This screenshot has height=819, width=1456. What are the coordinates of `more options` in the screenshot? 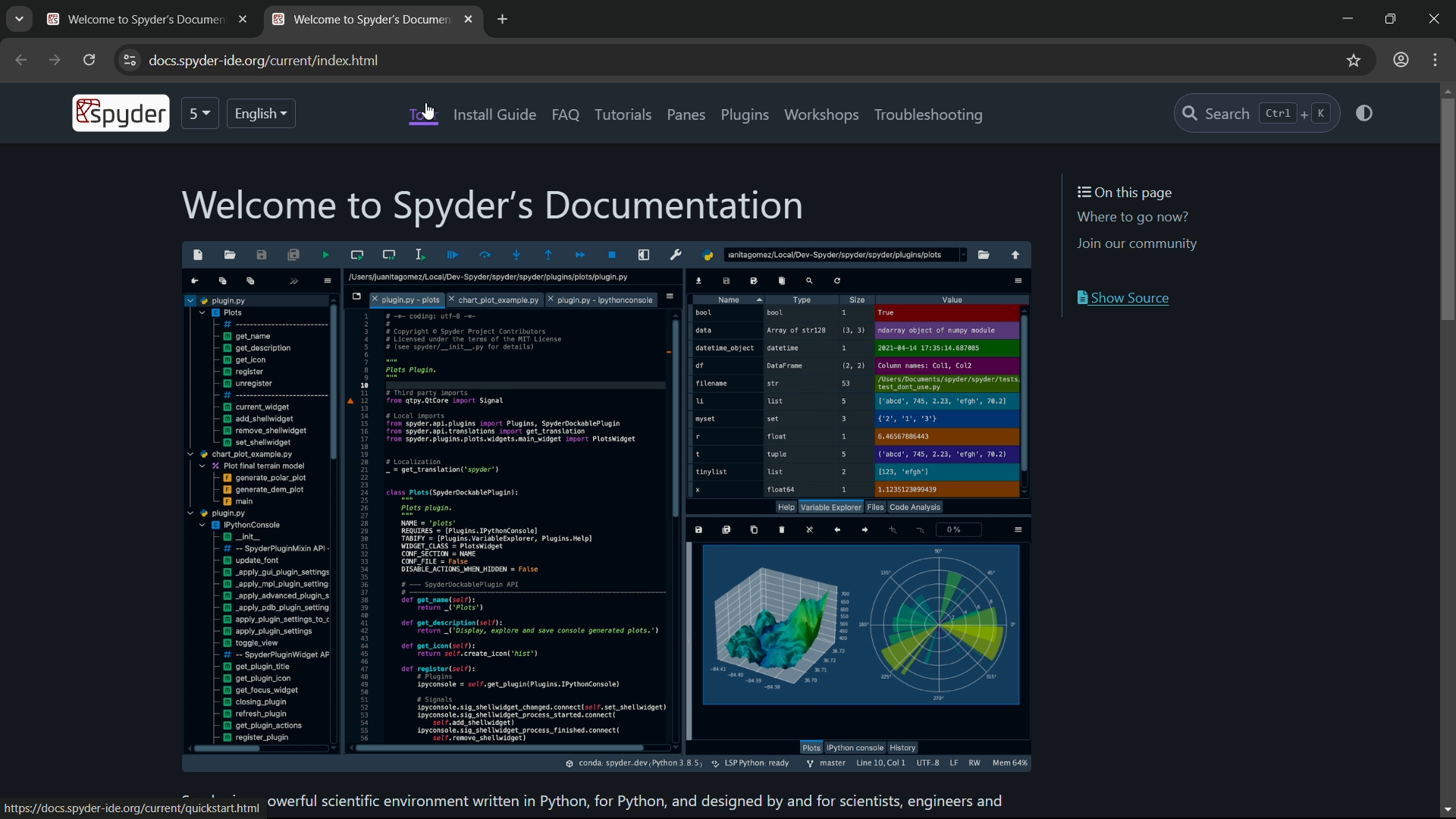 It's located at (1403, 61).